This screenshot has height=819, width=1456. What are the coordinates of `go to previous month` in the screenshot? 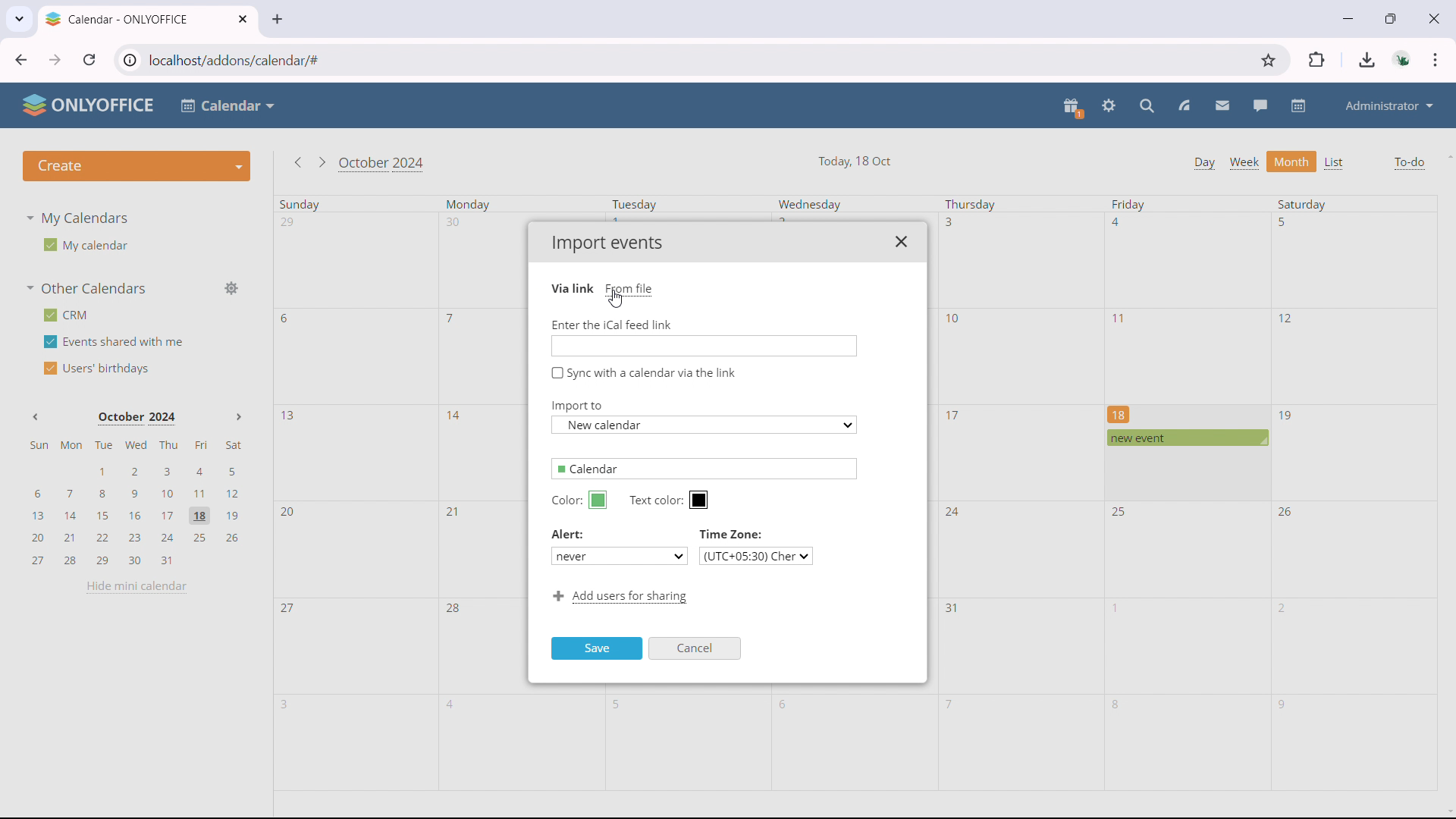 It's located at (297, 163).